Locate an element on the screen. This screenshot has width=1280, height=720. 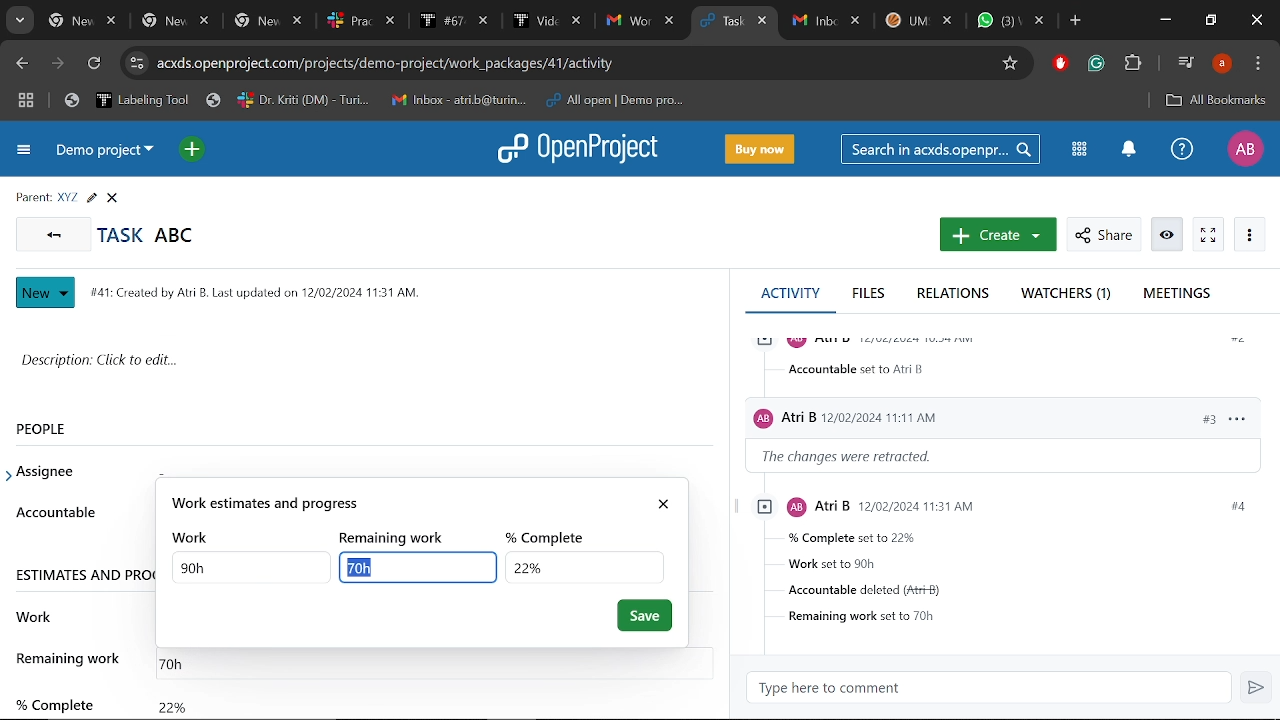
Space for writting description is located at coordinates (366, 364).